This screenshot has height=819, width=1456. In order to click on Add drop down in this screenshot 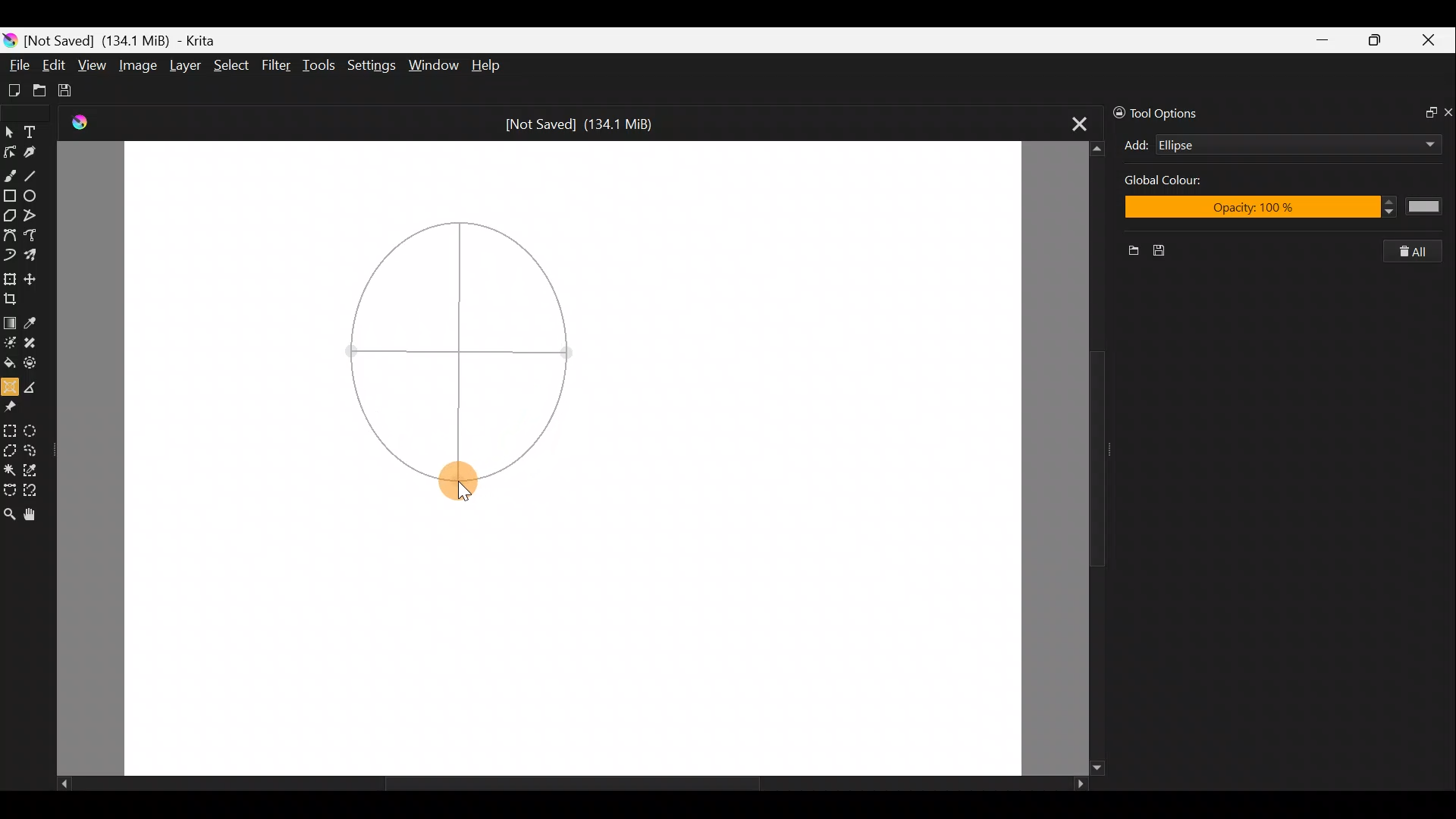, I will do `click(1416, 142)`.